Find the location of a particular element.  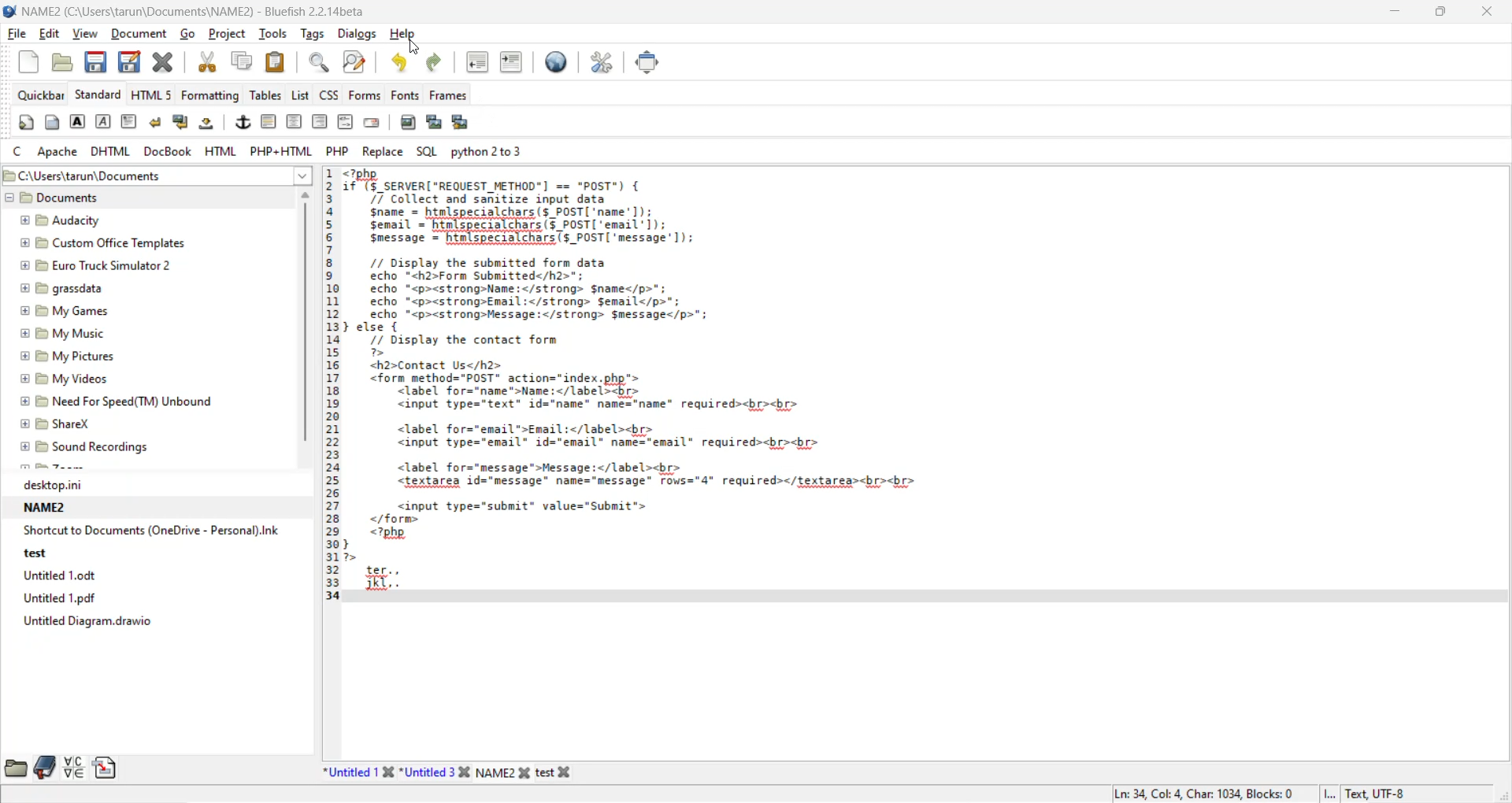

Untitled 138 is located at coordinates (354, 772).